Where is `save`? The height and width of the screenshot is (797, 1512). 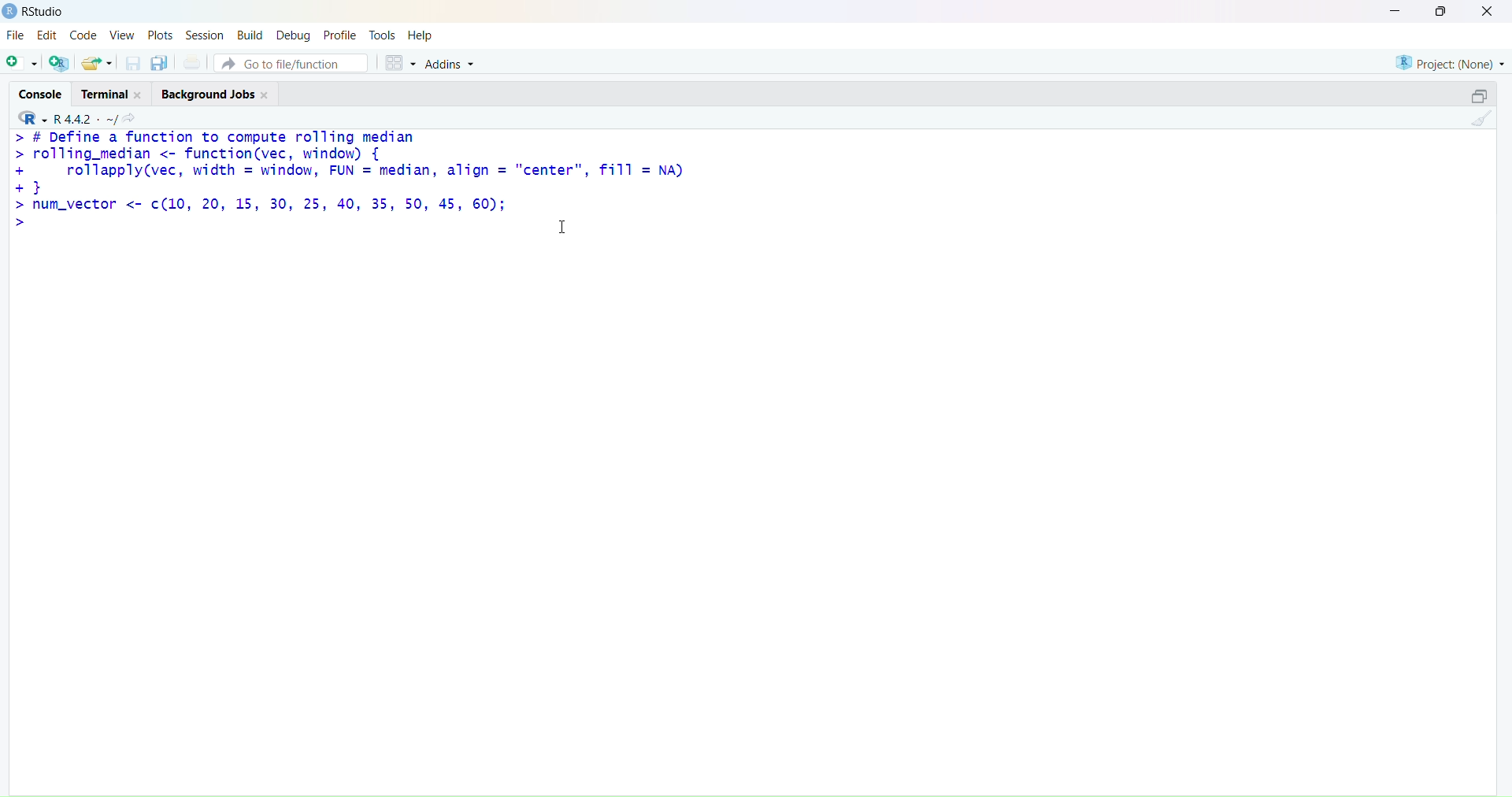 save is located at coordinates (135, 63).